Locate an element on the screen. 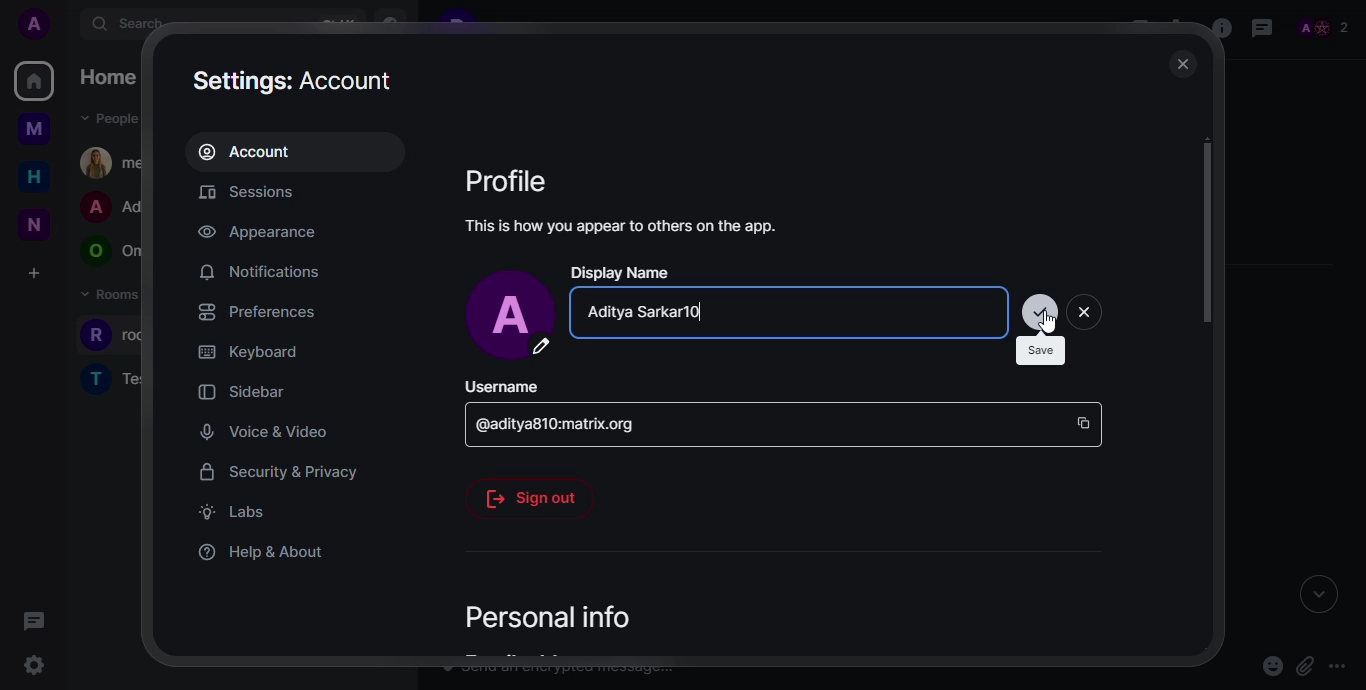 The height and width of the screenshot is (690, 1366). username is located at coordinates (502, 388).